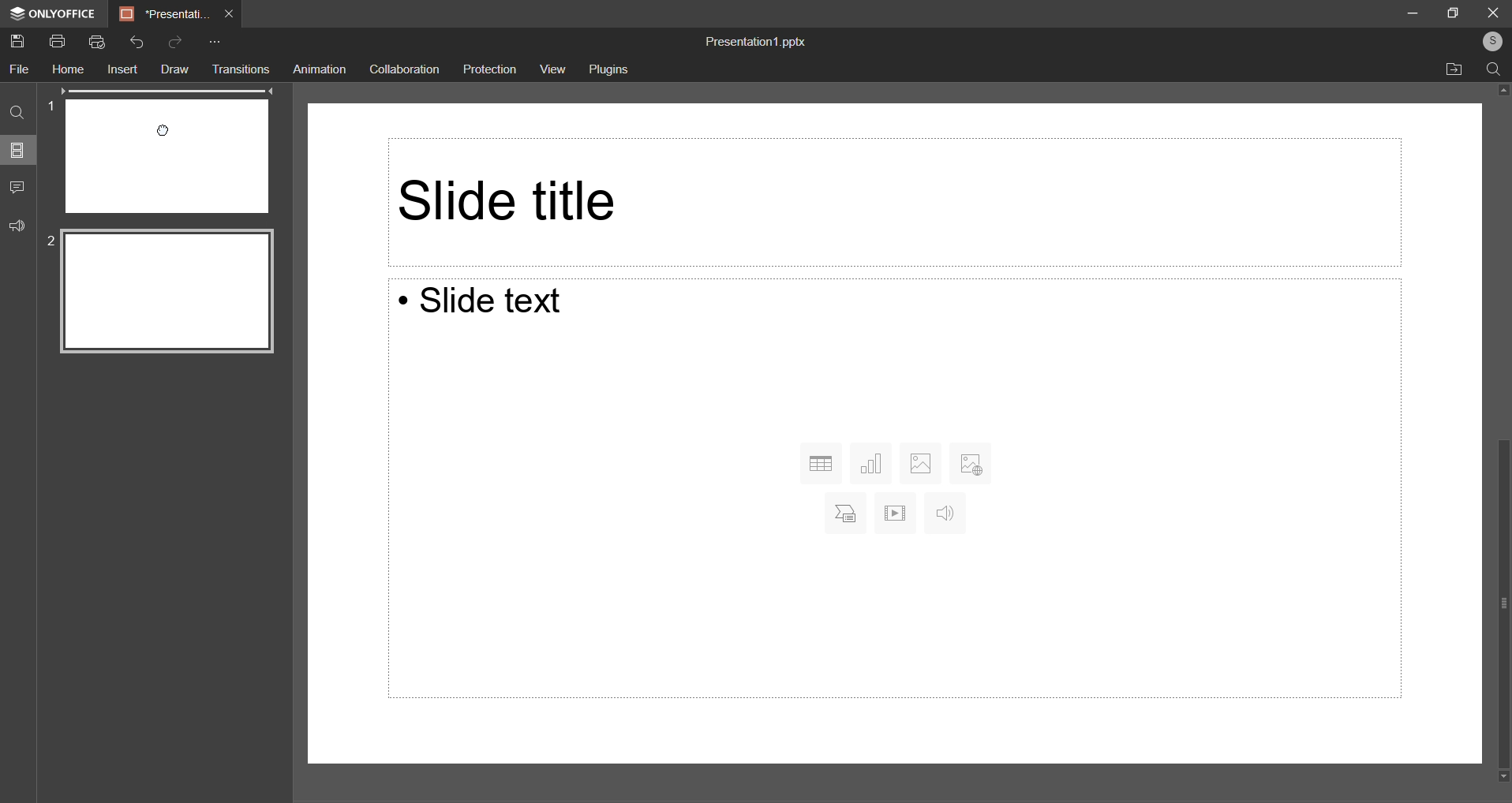  I want to click on Open, so click(1455, 69).